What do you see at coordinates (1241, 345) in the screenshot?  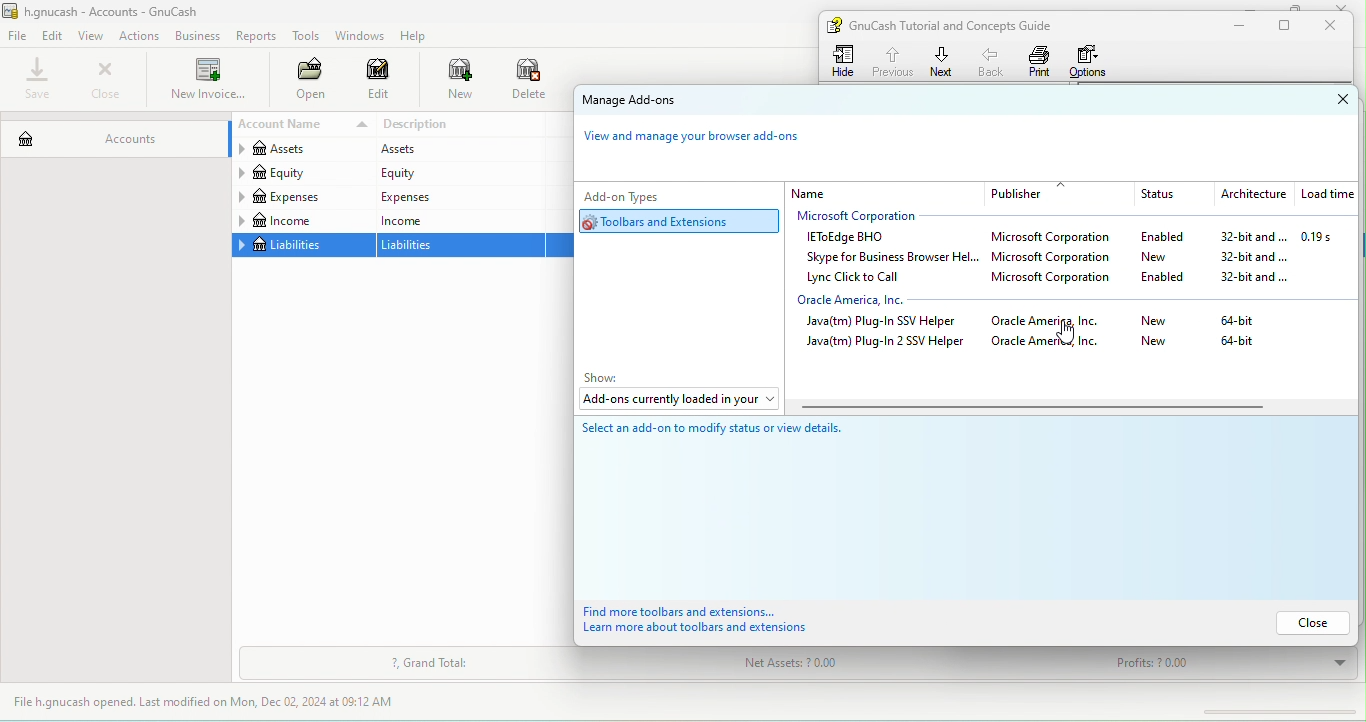 I see `64 bit` at bounding box center [1241, 345].